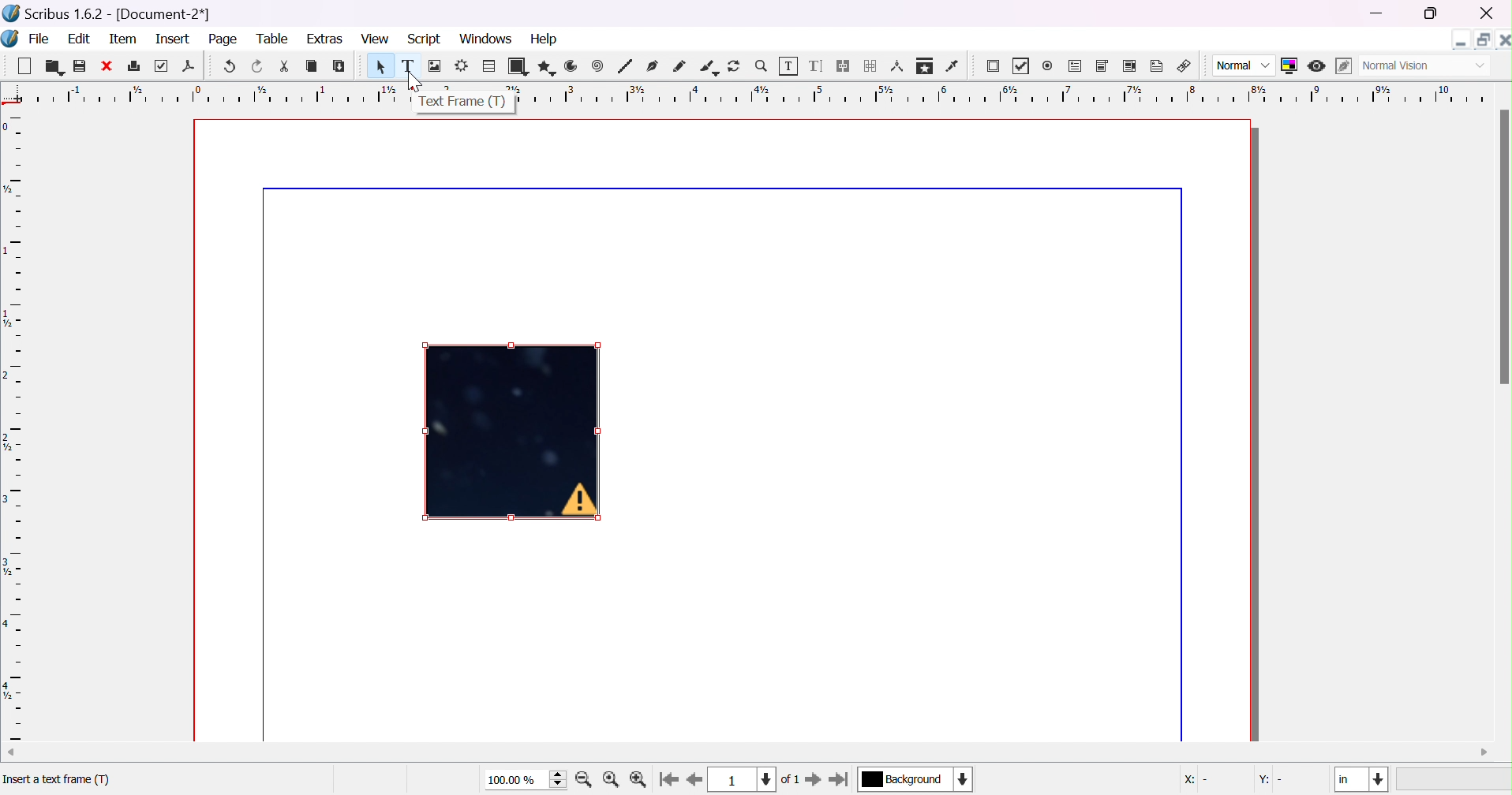  What do you see at coordinates (844, 66) in the screenshot?
I see `link text frames` at bounding box center [844, 66].